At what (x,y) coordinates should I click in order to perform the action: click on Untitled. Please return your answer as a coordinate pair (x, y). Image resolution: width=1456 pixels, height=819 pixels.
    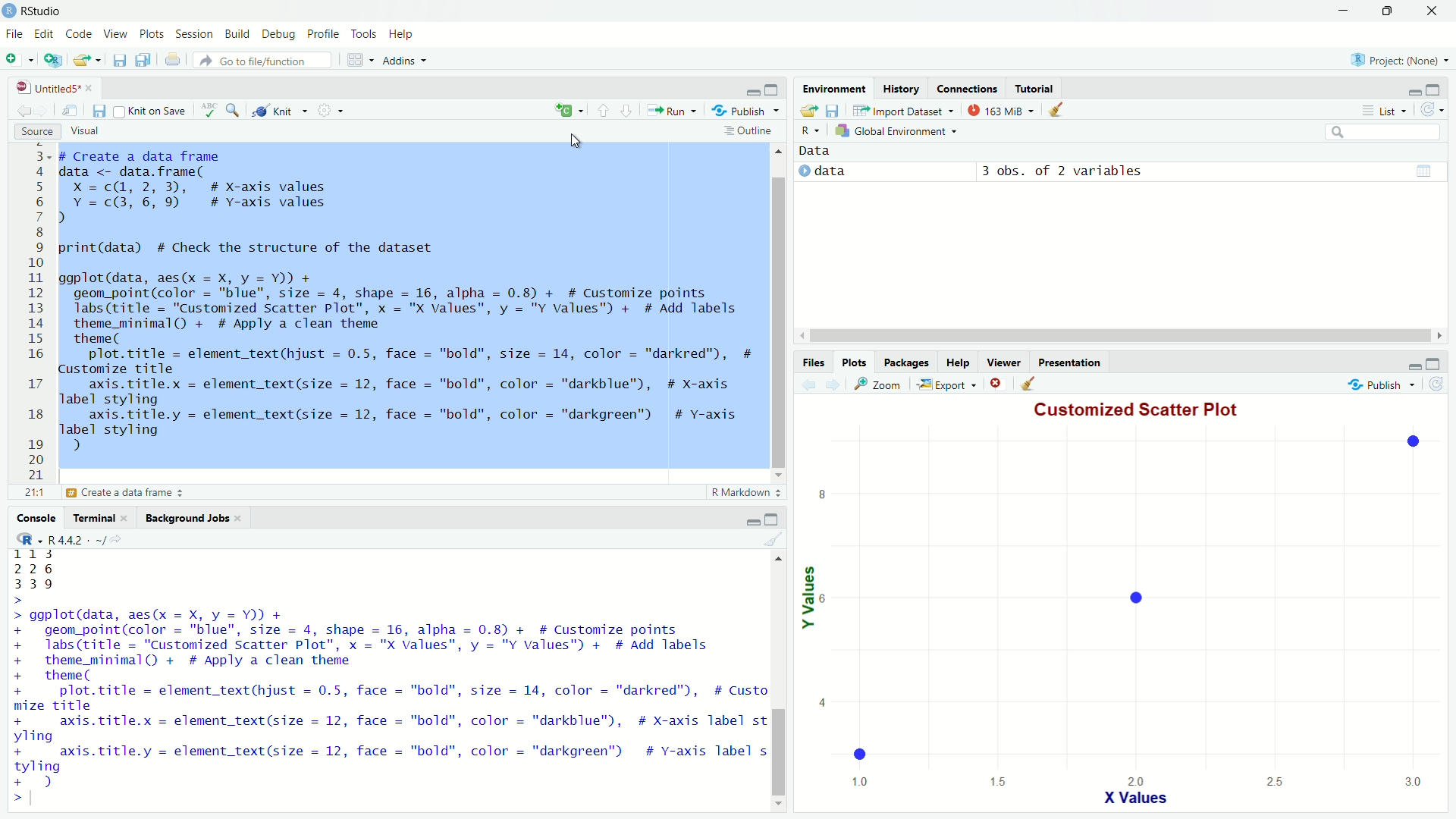
    Looking at the image, I should click on (52, 89).